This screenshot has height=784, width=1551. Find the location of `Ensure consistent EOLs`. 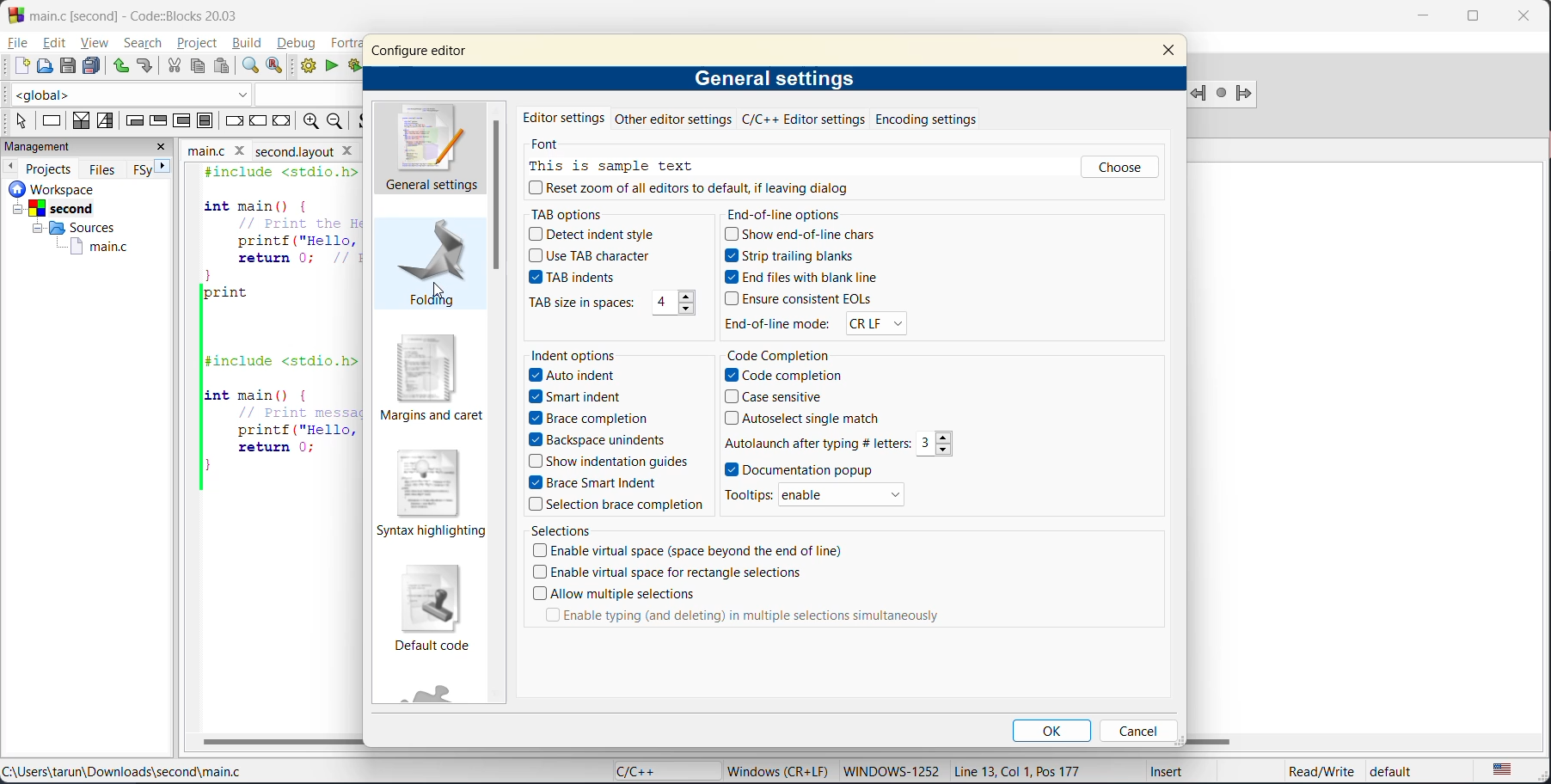

Ensure consistent EOLs is located at coordinates (797, 299).